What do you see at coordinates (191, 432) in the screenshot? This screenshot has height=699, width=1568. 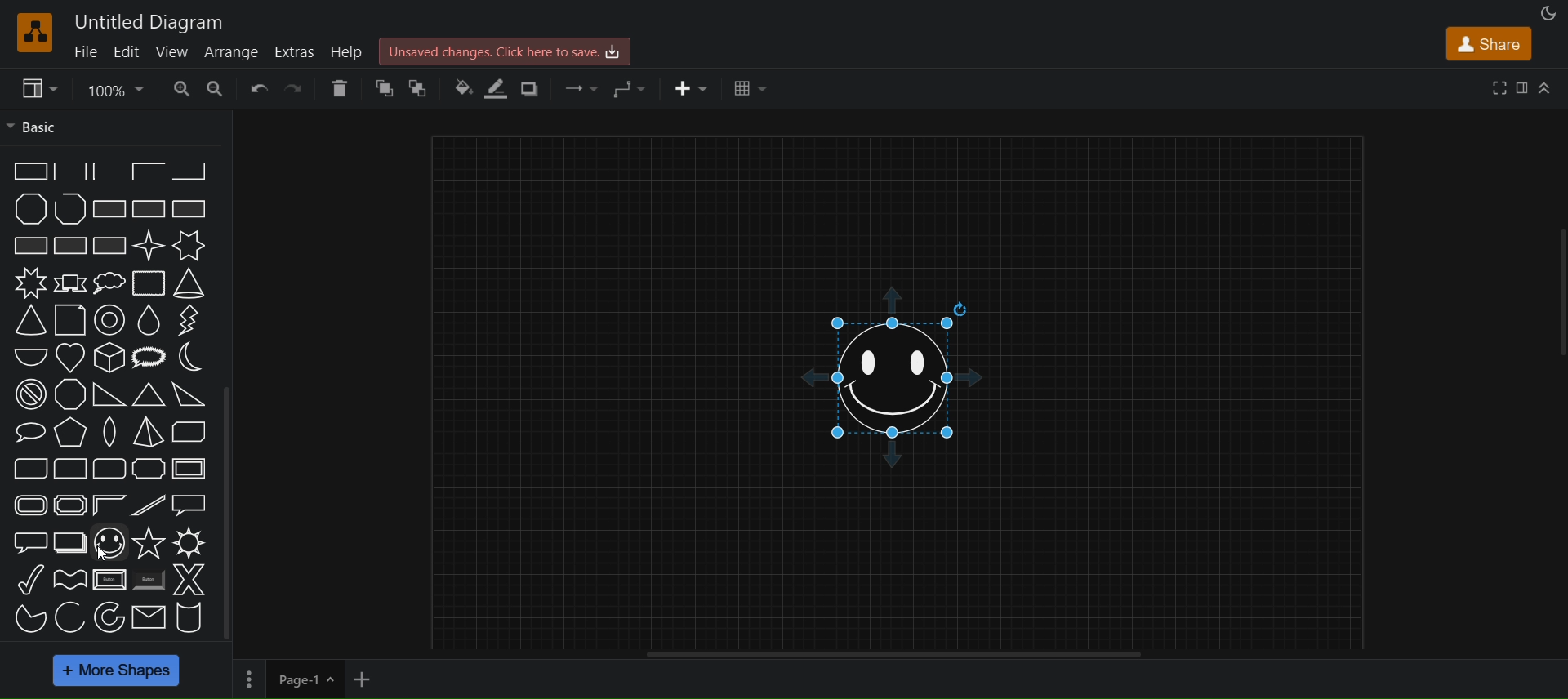 I see `diagonal snip rectangle` at bounding box center [191, 432].